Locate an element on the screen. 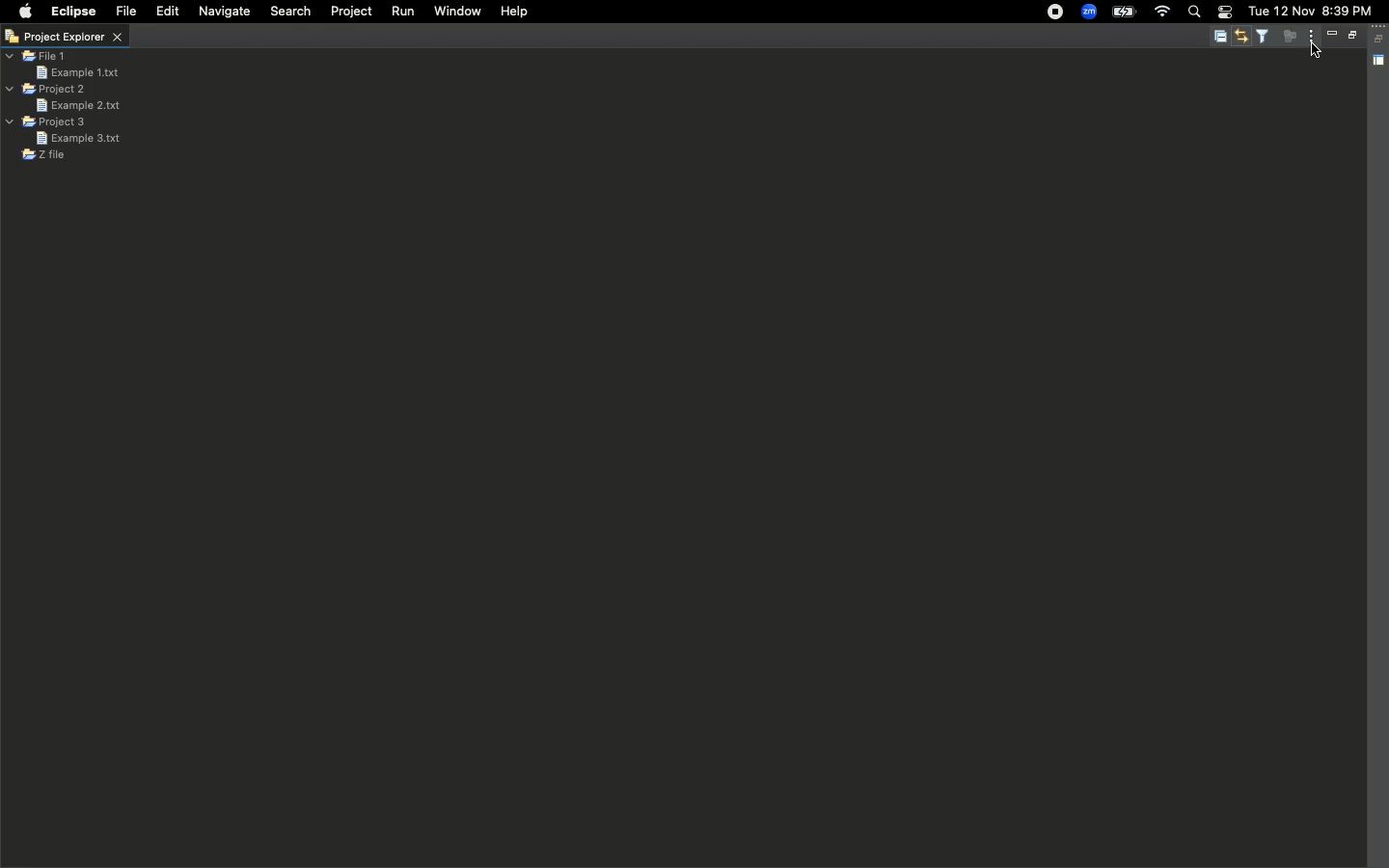 This screenshot has height=868, width=1389. Collapse all is located at coordinates (1219, 38).